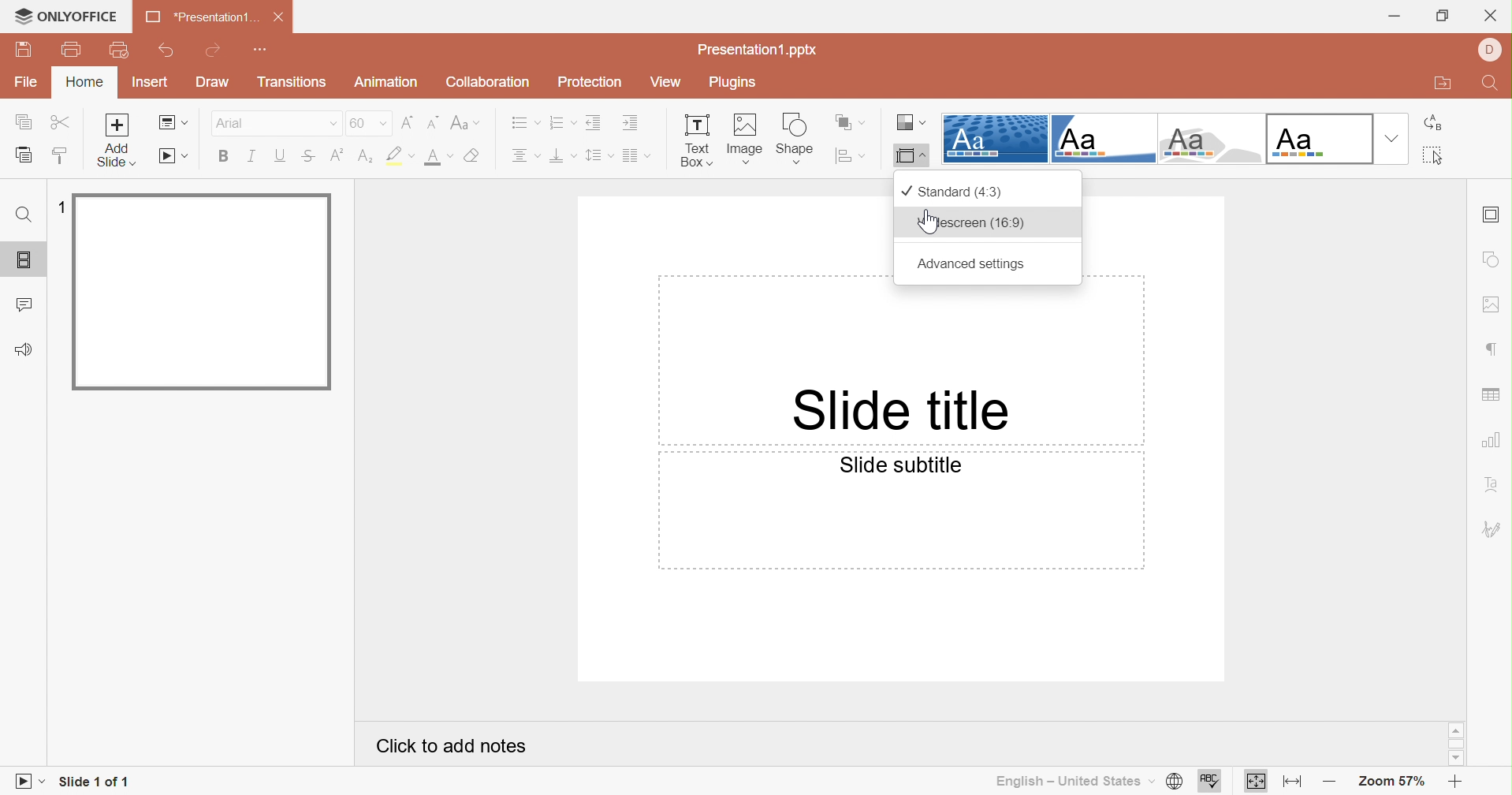  Describe the element at coordinates (901, 465) in the screenshot. I see `Slide subtitle` at that location.